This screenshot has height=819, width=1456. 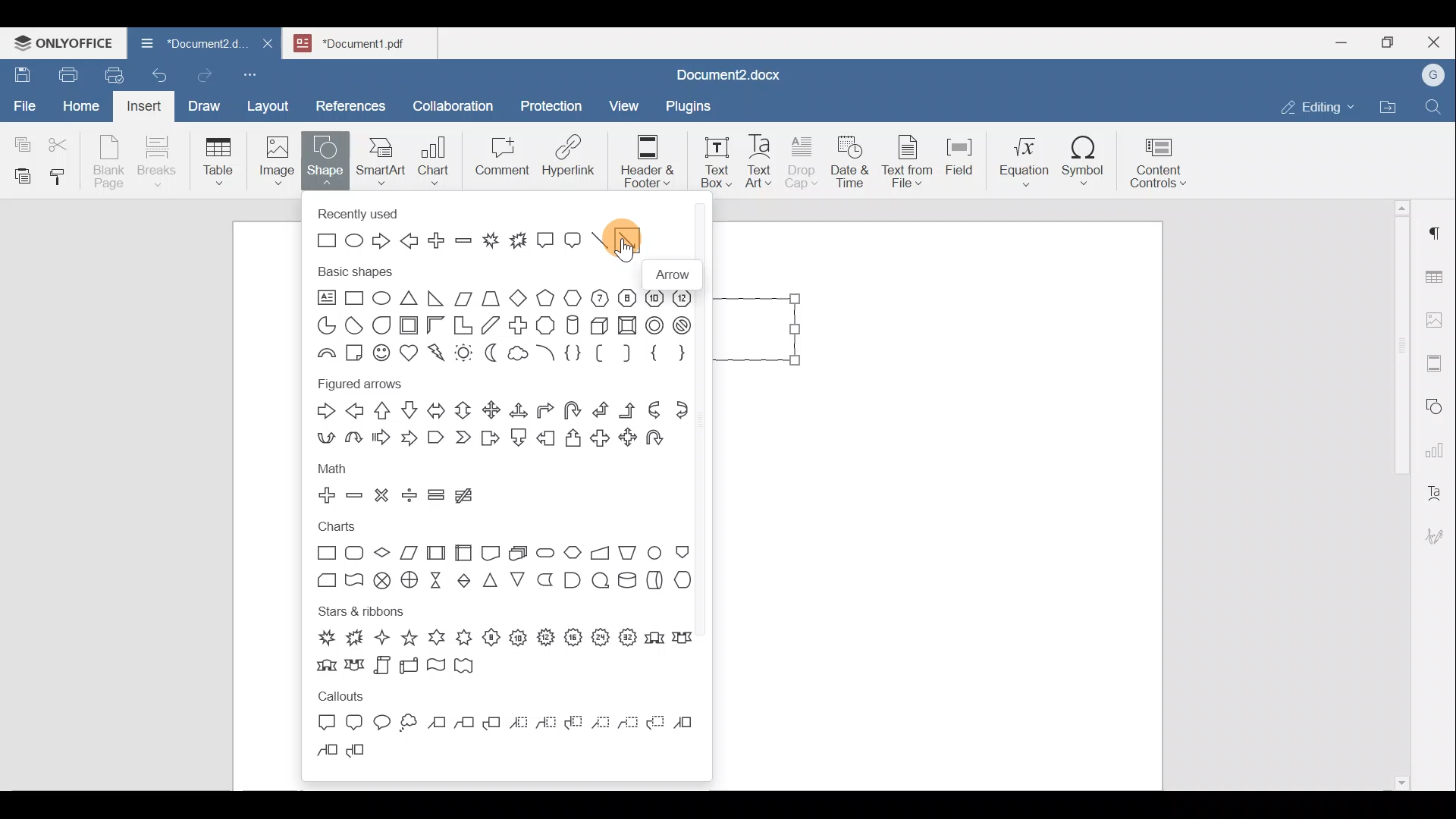 What do you see at coordinates (268, 45) in the screenshot?
I see `Close document` at bounding box center [268, 45].